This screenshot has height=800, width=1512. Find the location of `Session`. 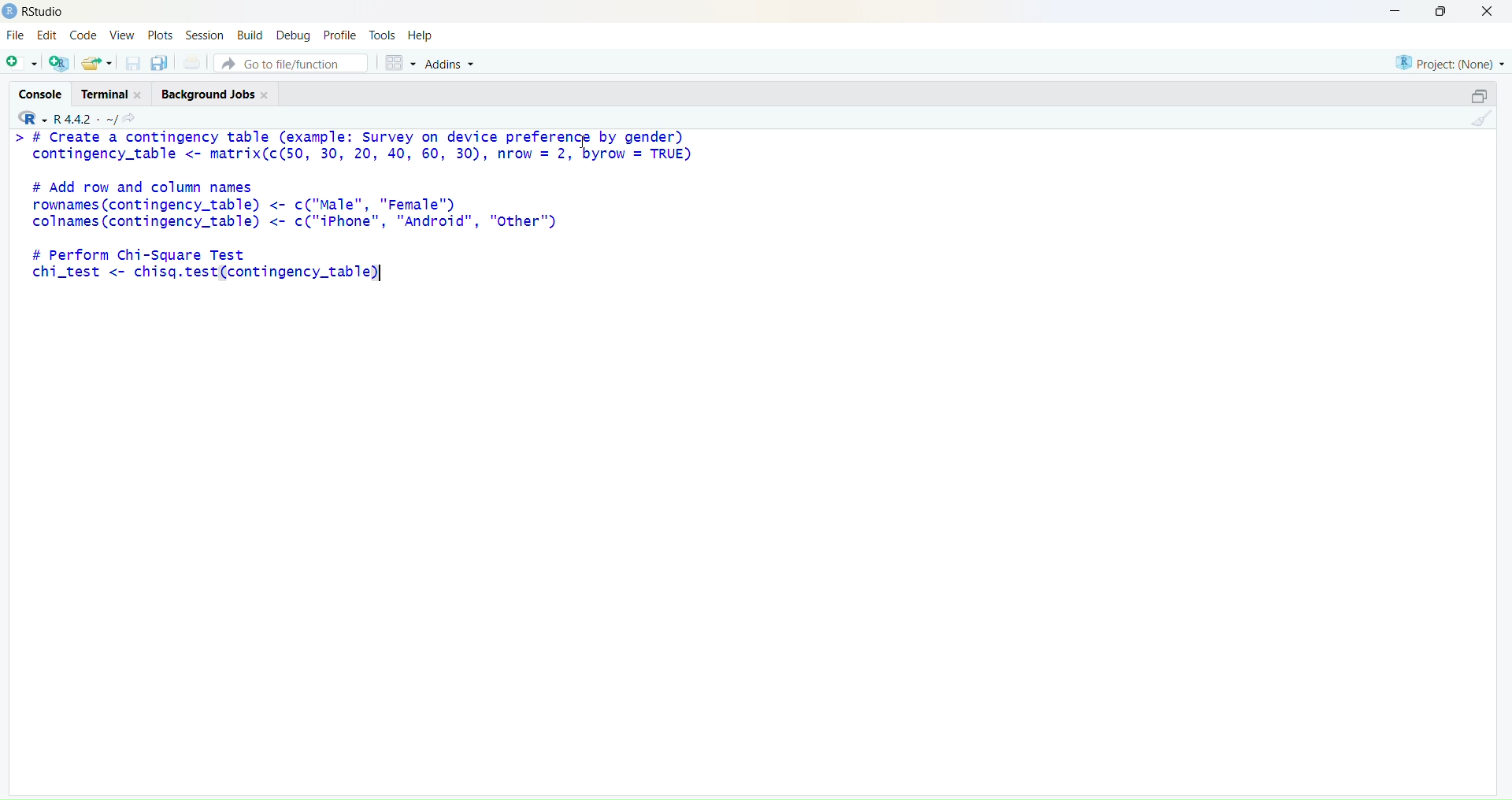

Session is located at coordinates (205, 35).